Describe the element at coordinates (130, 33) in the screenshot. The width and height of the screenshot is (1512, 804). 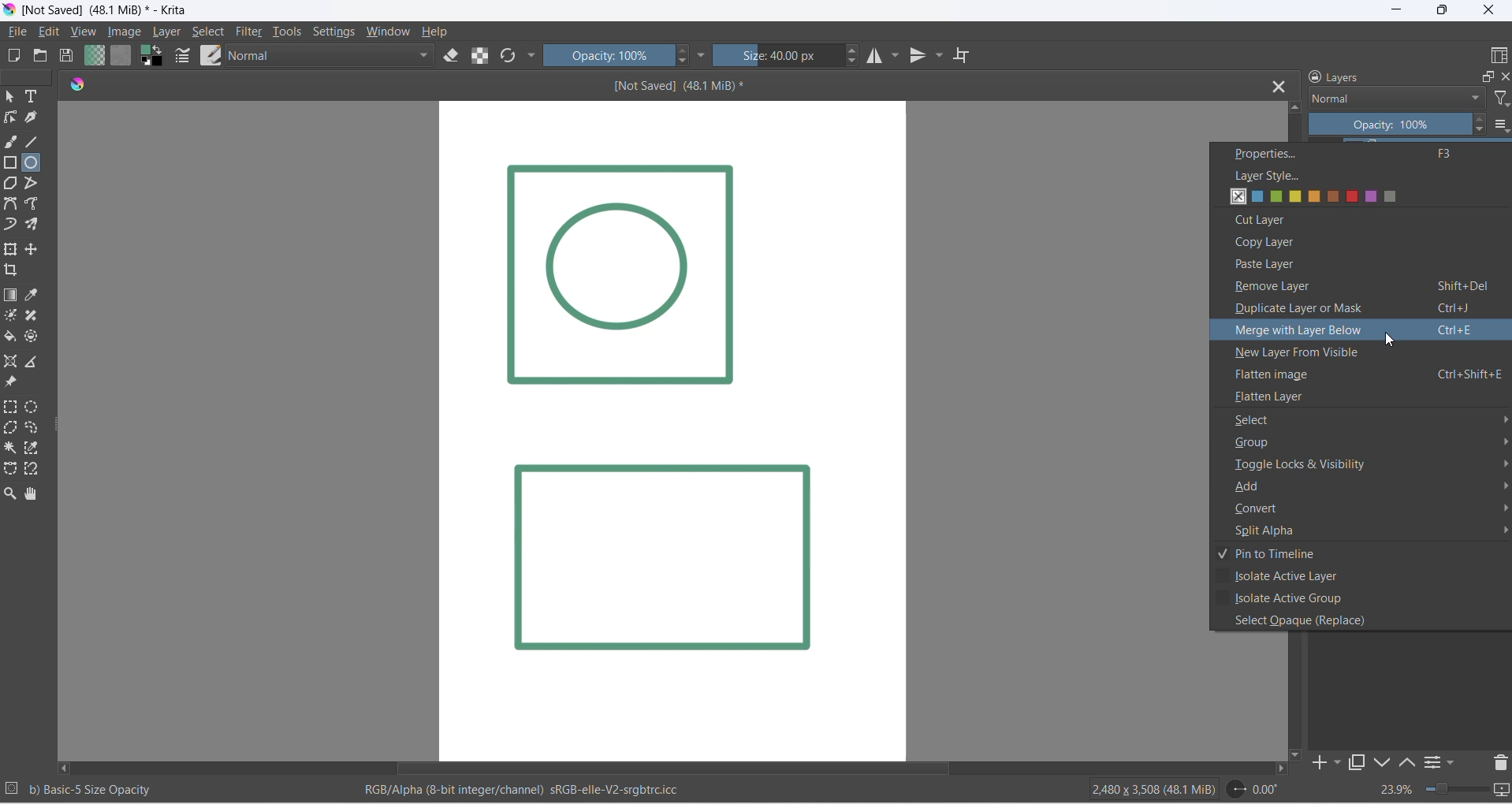
I see `image` at that location.